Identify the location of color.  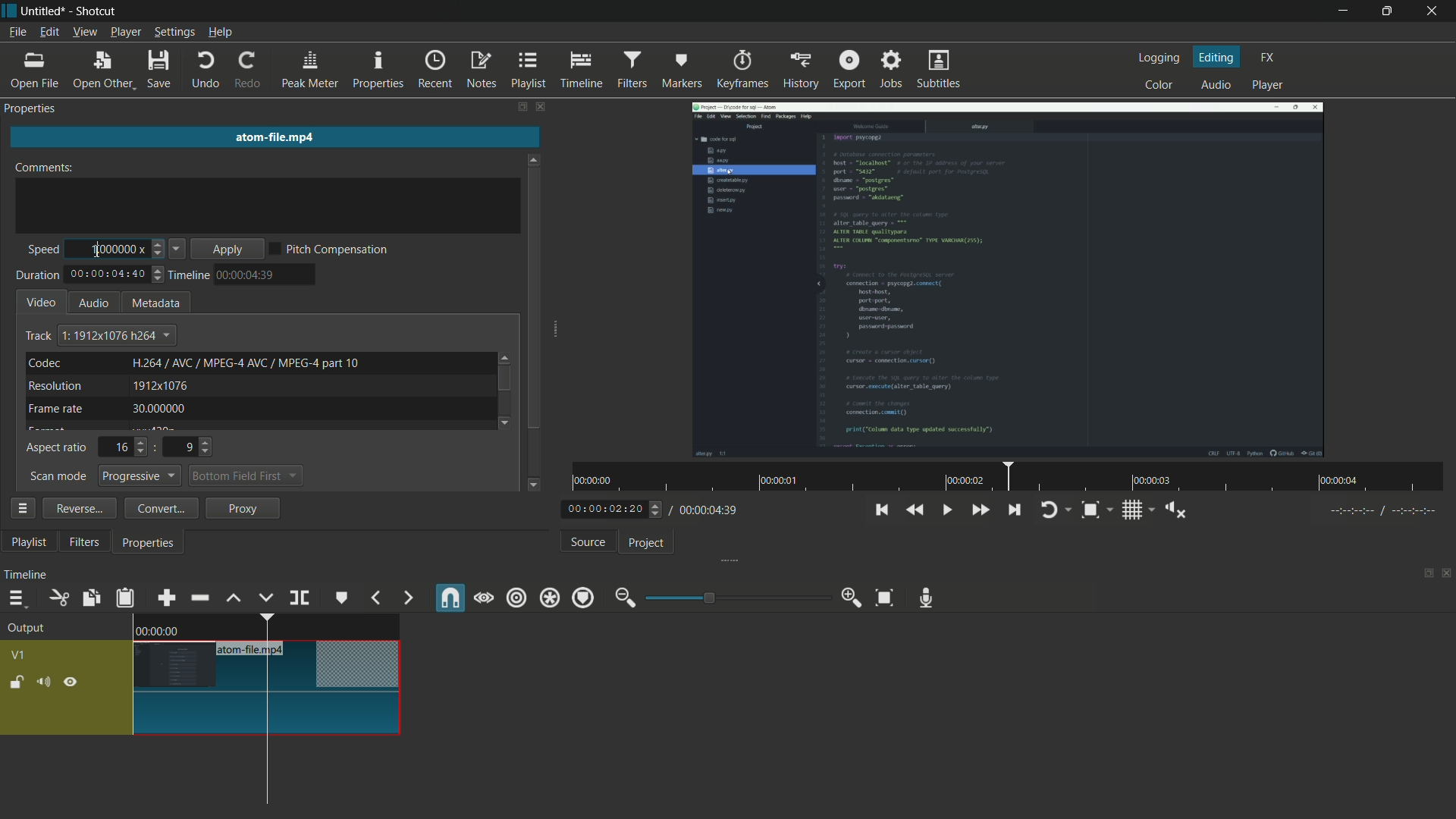
(1159, 86).